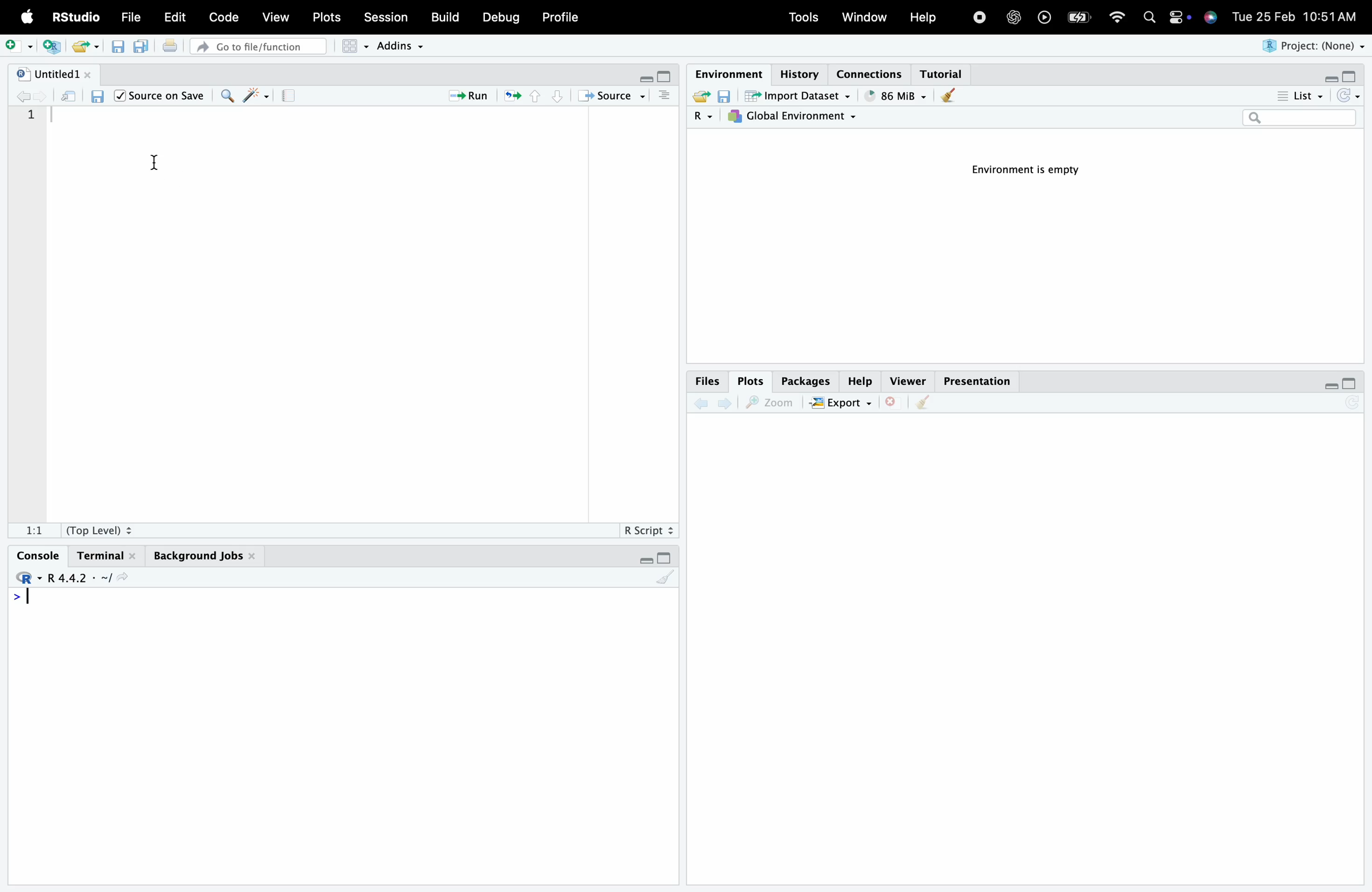 This screenshot has width=1372, height=892. I want to click on search, so click(1298, 119).